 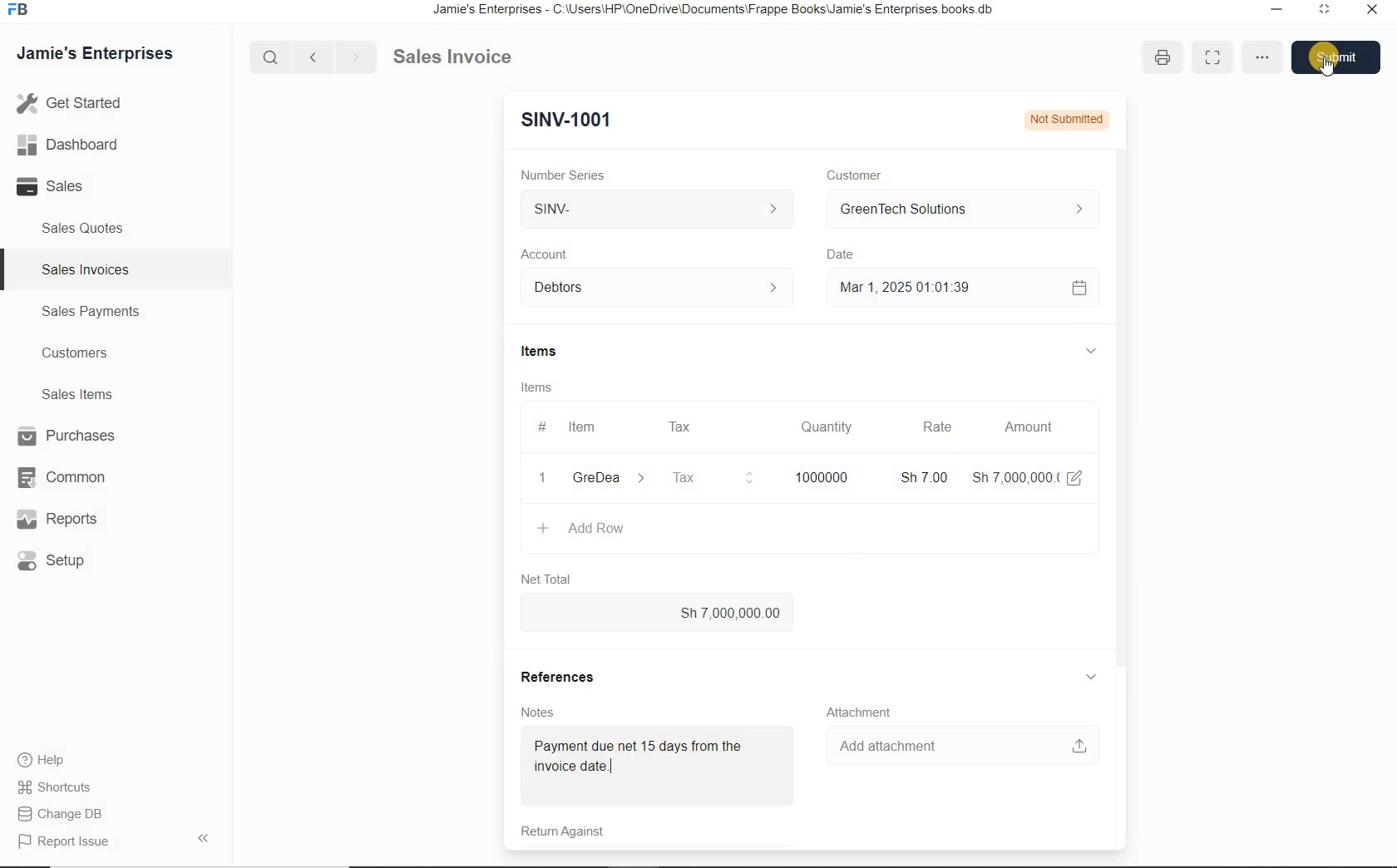 I want to click on calender, so click(x=1078, y=287).